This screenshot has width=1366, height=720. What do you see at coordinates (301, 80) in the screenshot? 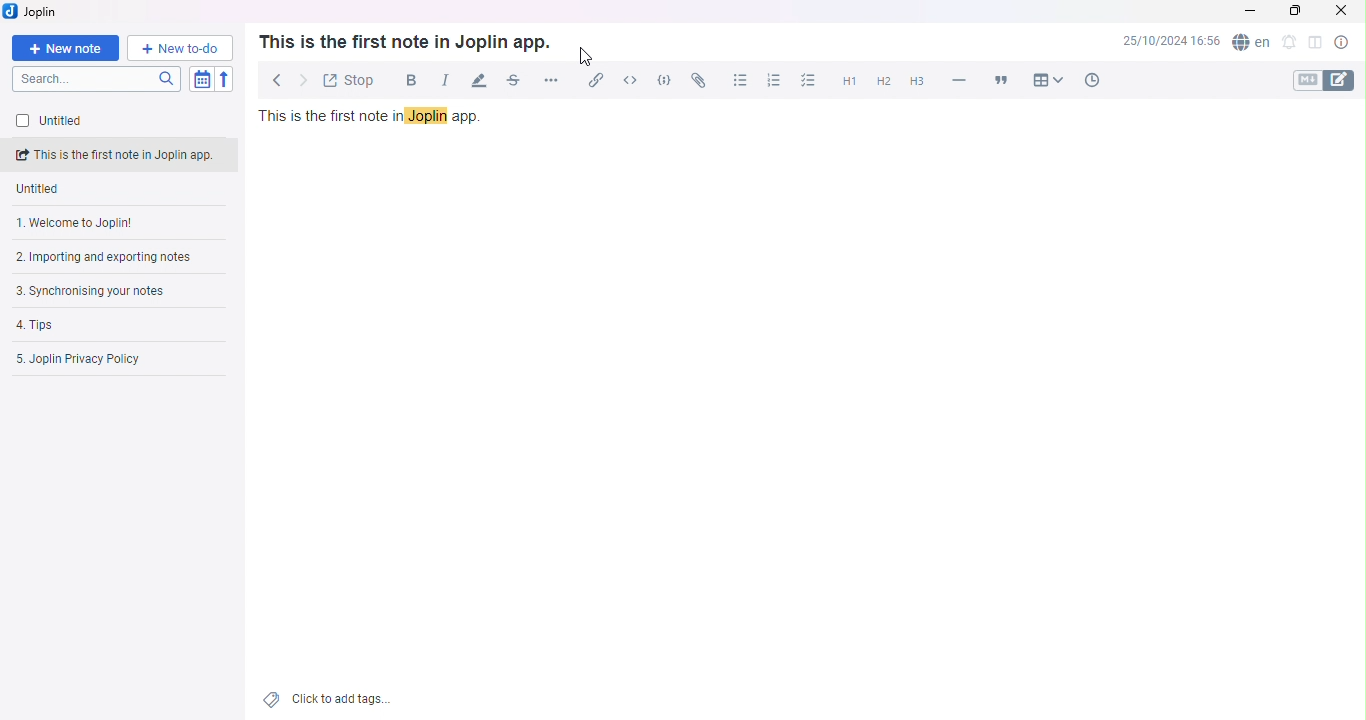
I see `Forward` at bounding box center [301, 80].